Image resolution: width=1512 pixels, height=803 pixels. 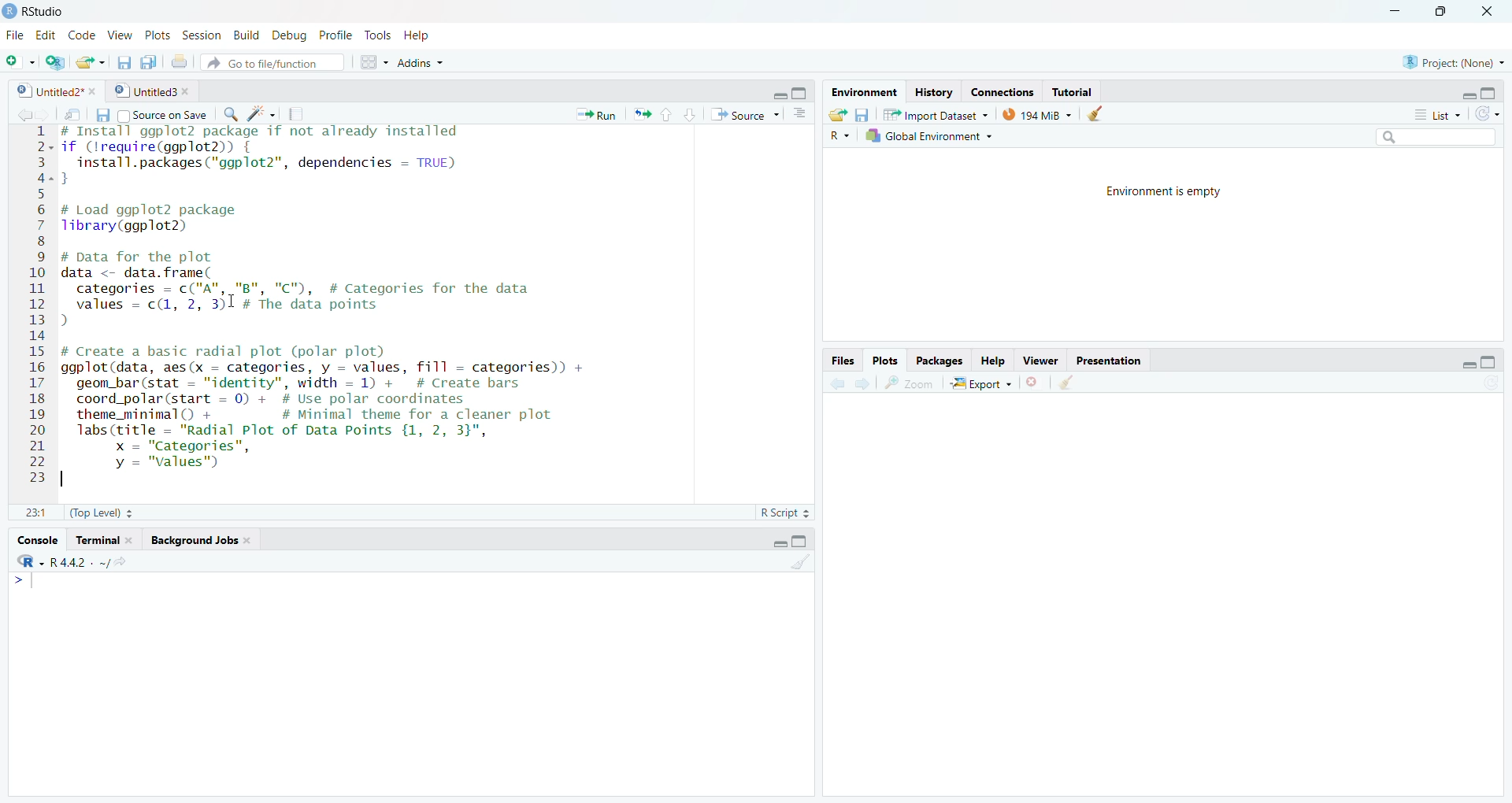 I want to click on Cursor, so click(x=599, y=127).